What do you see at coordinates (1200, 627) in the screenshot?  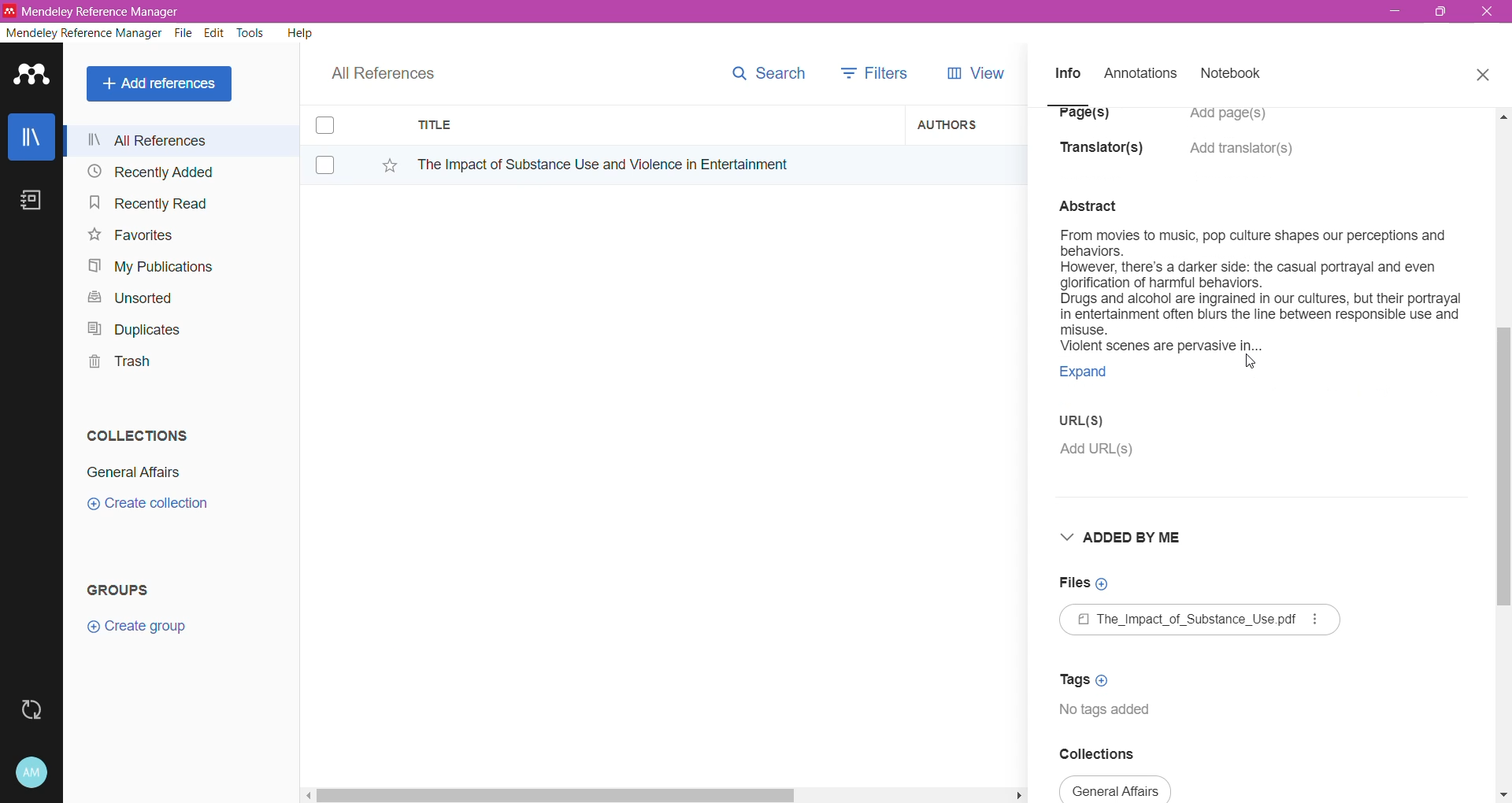 I see `Available File` at bounding box center [1200, 627].